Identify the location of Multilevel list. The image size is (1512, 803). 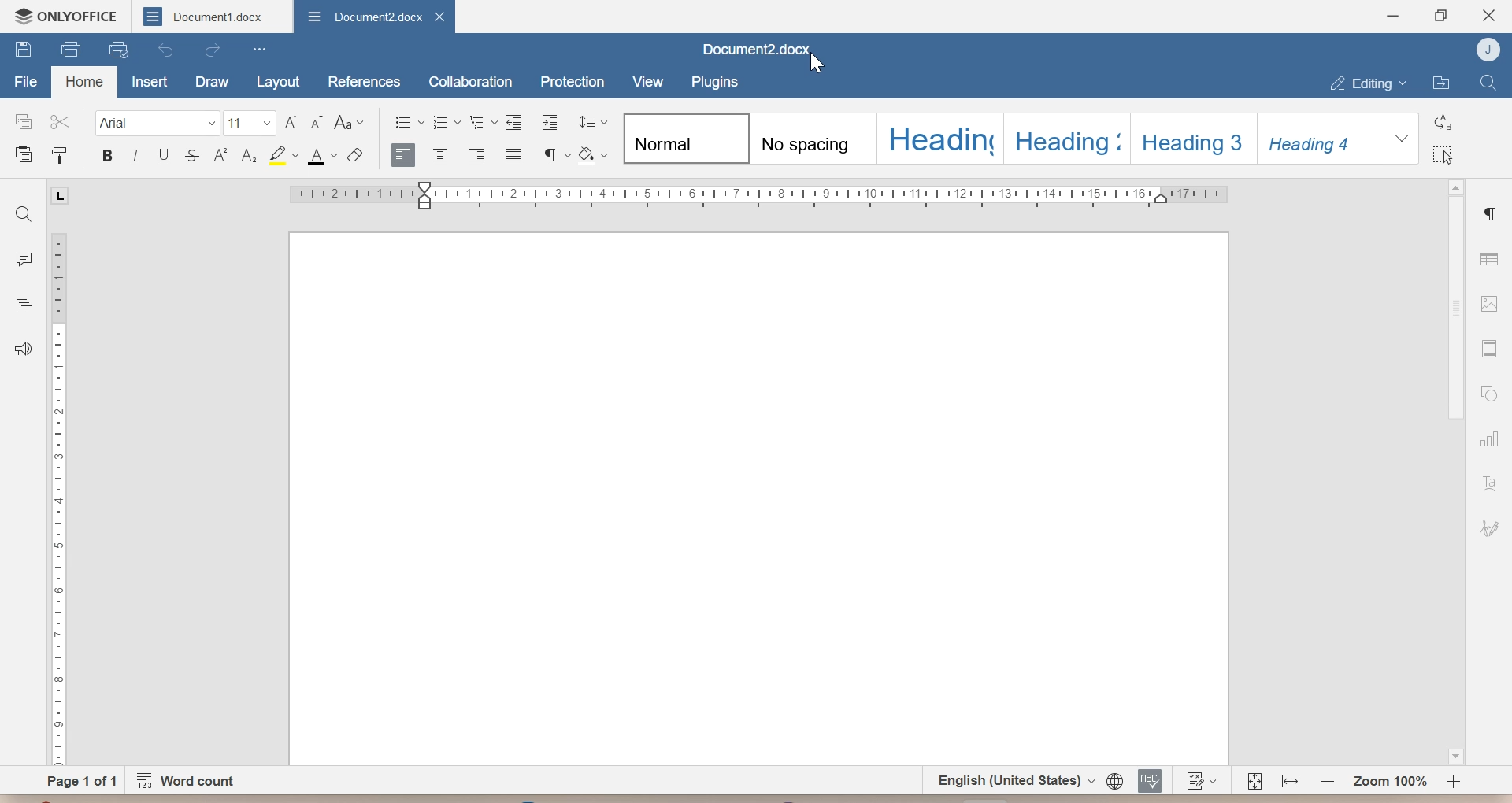
(484, 124).